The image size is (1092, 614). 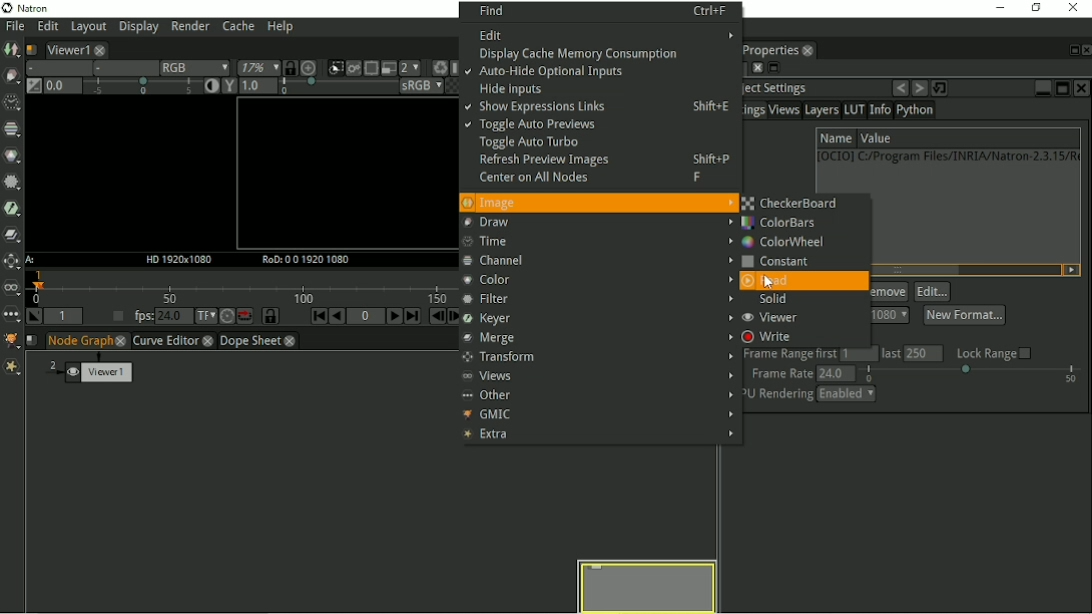 I want to click on Close, so click(x=1083, y=88).